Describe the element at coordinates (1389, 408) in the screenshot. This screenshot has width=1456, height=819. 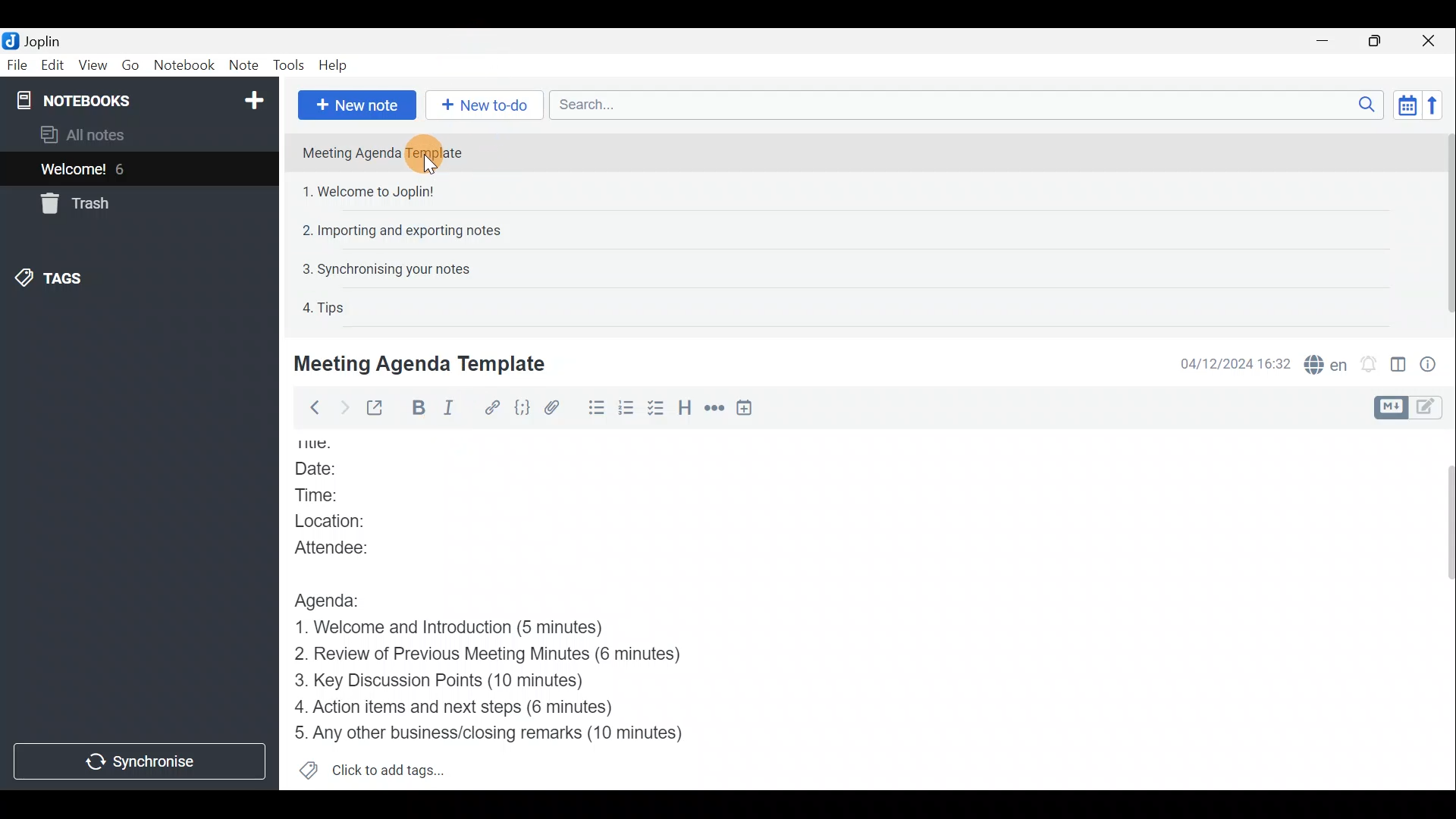
I see `Toggle editors` at that location.